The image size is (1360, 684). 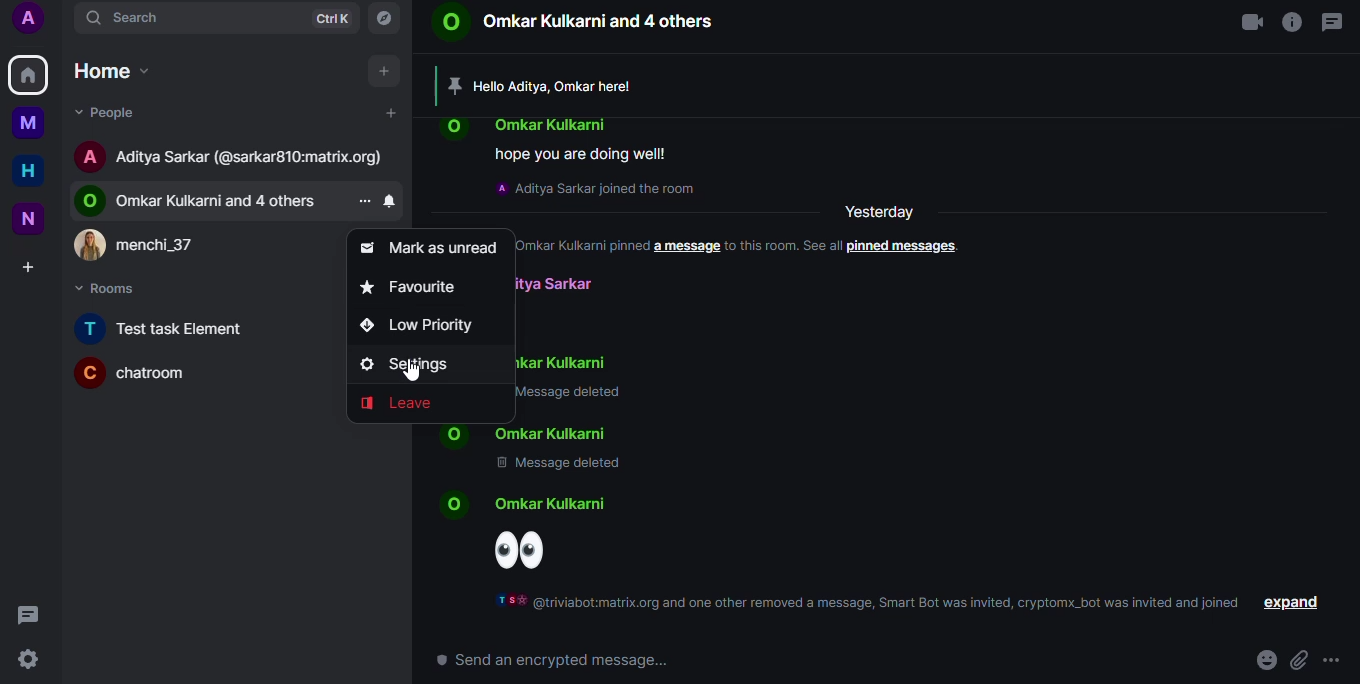 I want to click on to this room. See all, so click(x=783, y=245).